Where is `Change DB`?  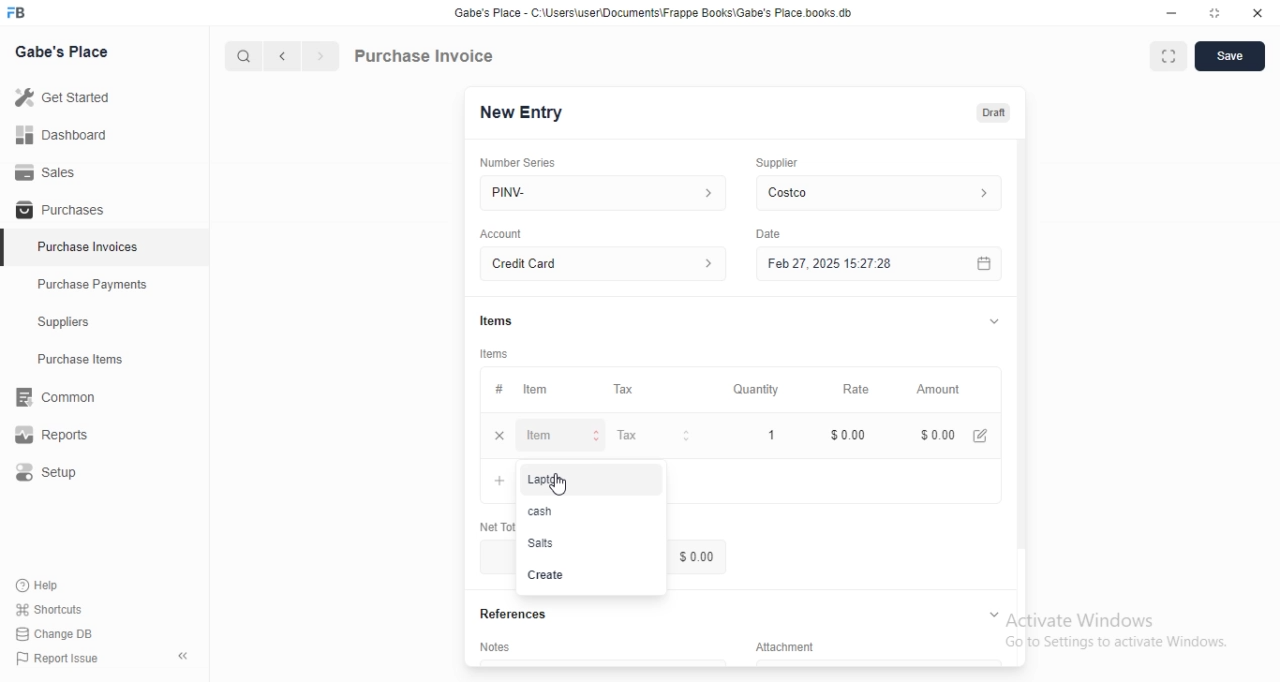
Change DB is located at coordinates (54, 634).